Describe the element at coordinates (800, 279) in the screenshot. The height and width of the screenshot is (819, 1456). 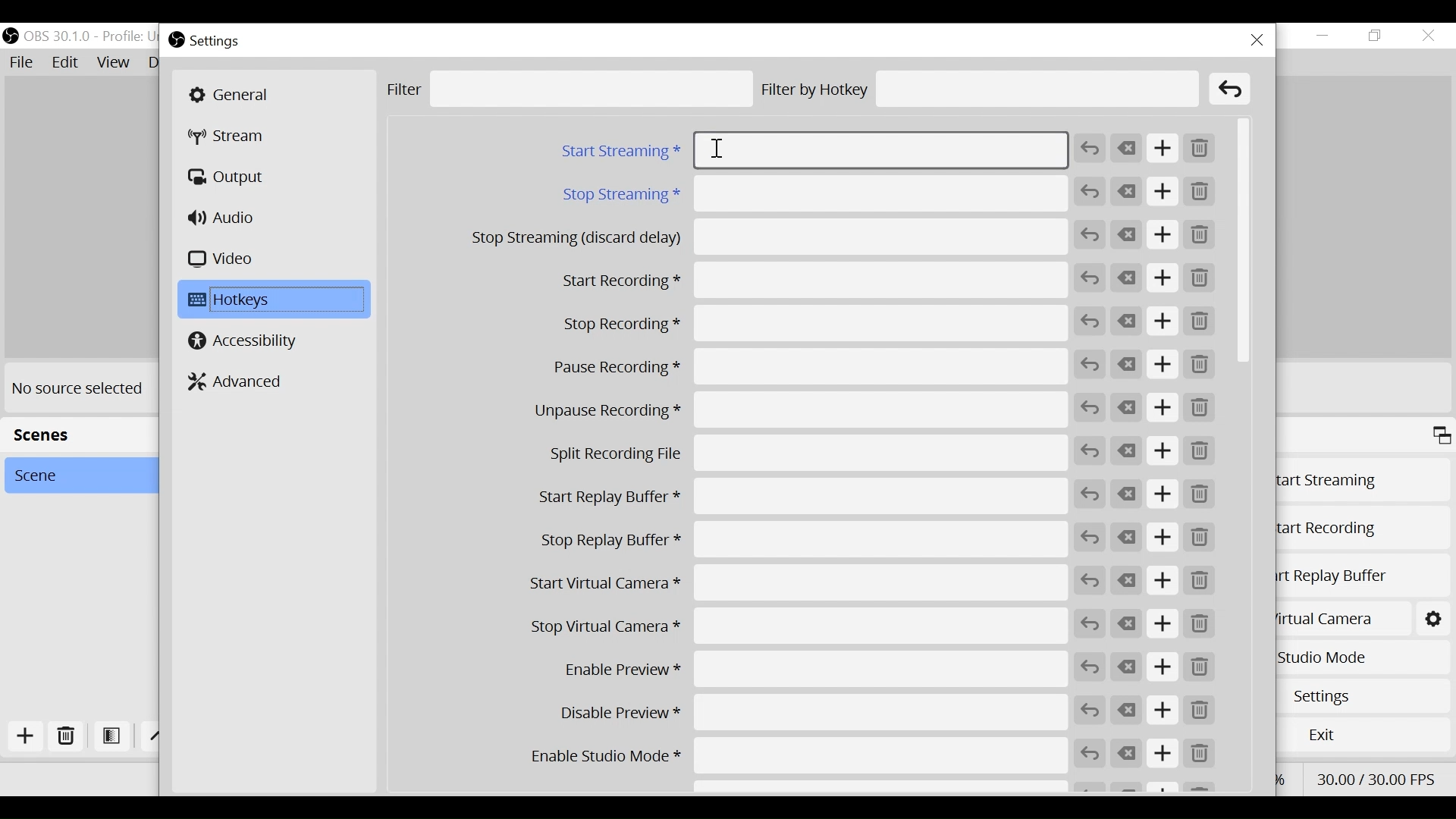
I see `Start Recording` at that location.